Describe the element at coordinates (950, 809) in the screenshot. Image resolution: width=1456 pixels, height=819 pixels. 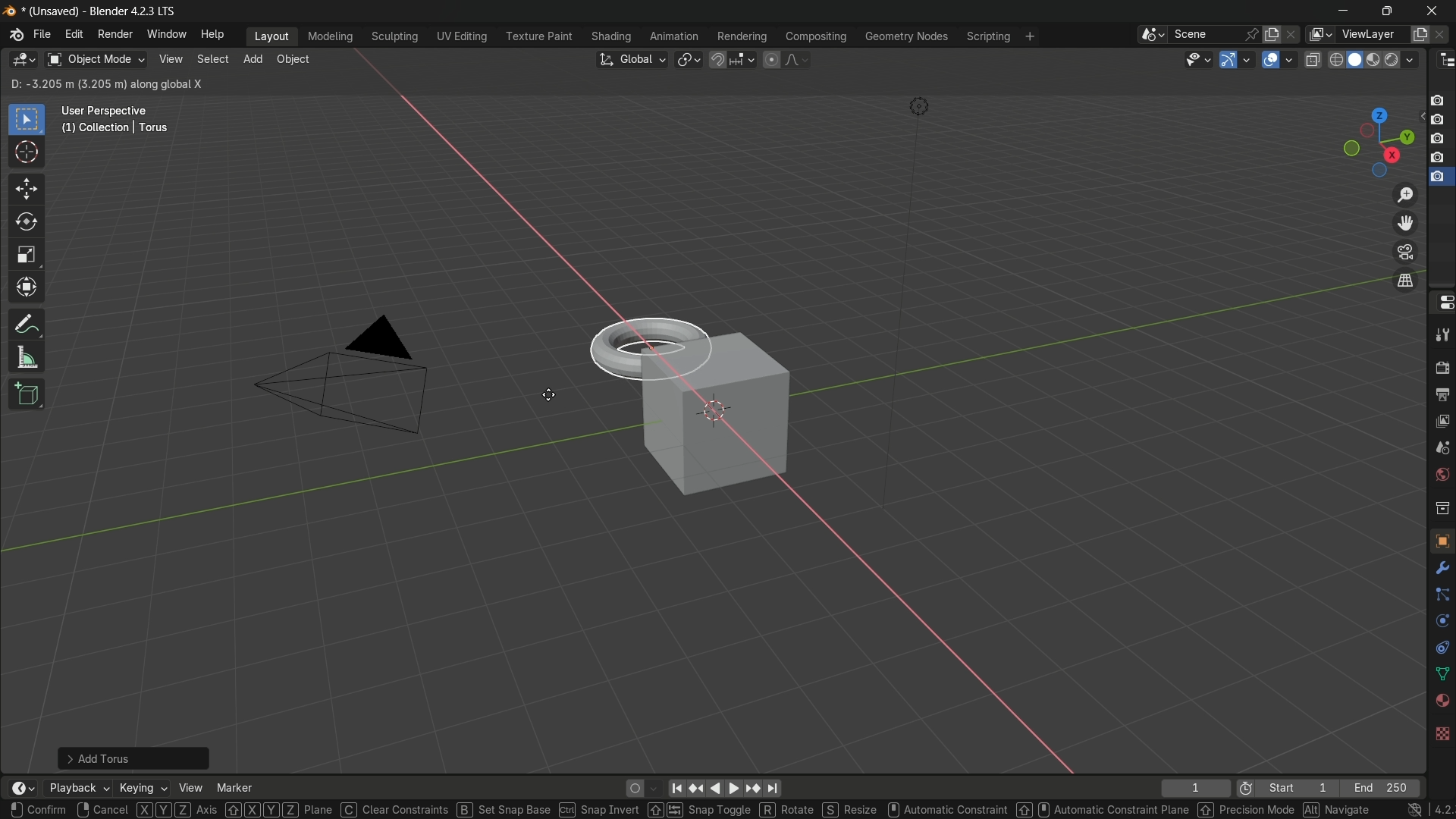
I see `Automatic Constraint` at that location.